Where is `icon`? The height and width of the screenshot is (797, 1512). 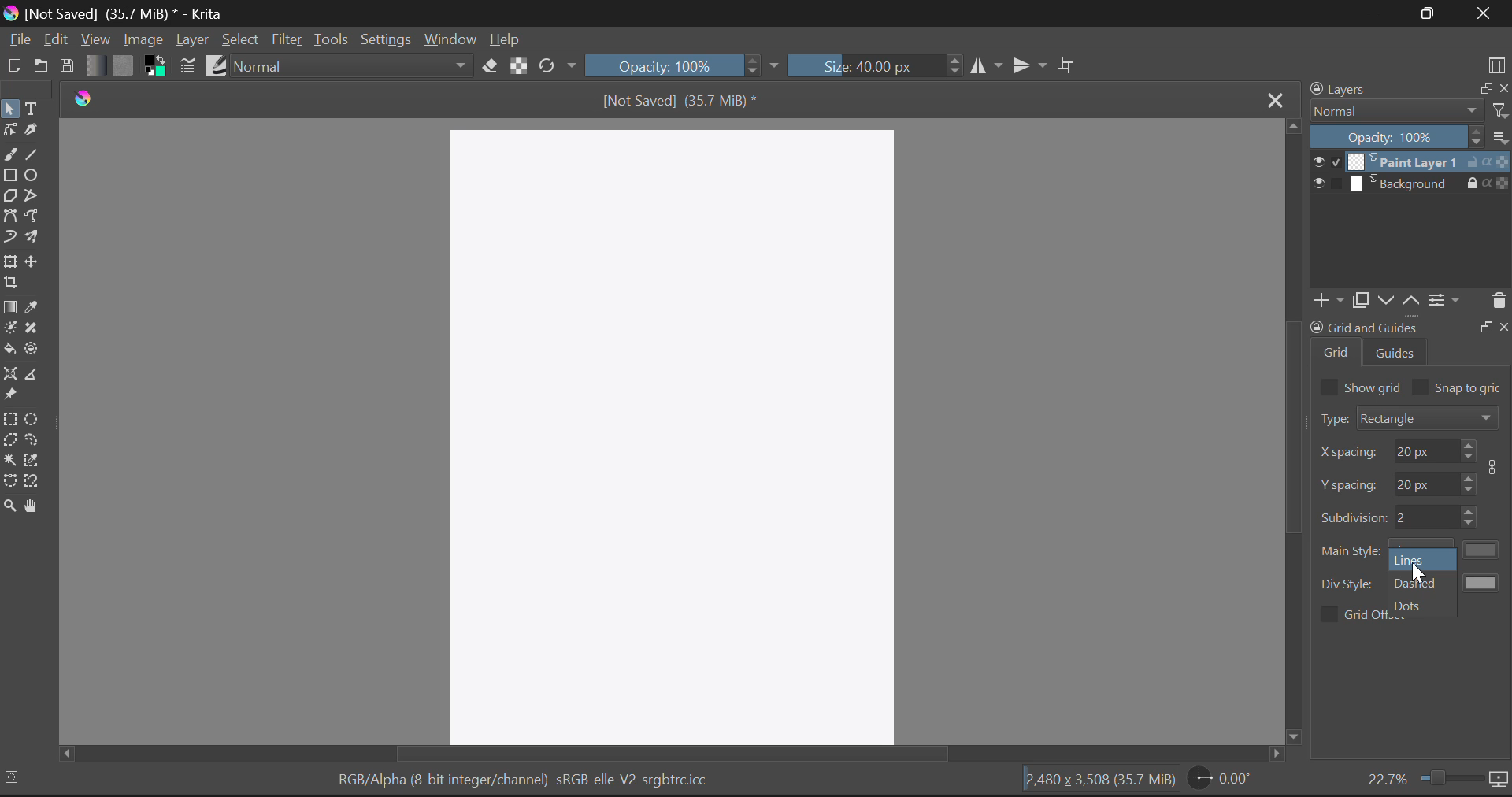 icon is located at coordinates (1496, 467).